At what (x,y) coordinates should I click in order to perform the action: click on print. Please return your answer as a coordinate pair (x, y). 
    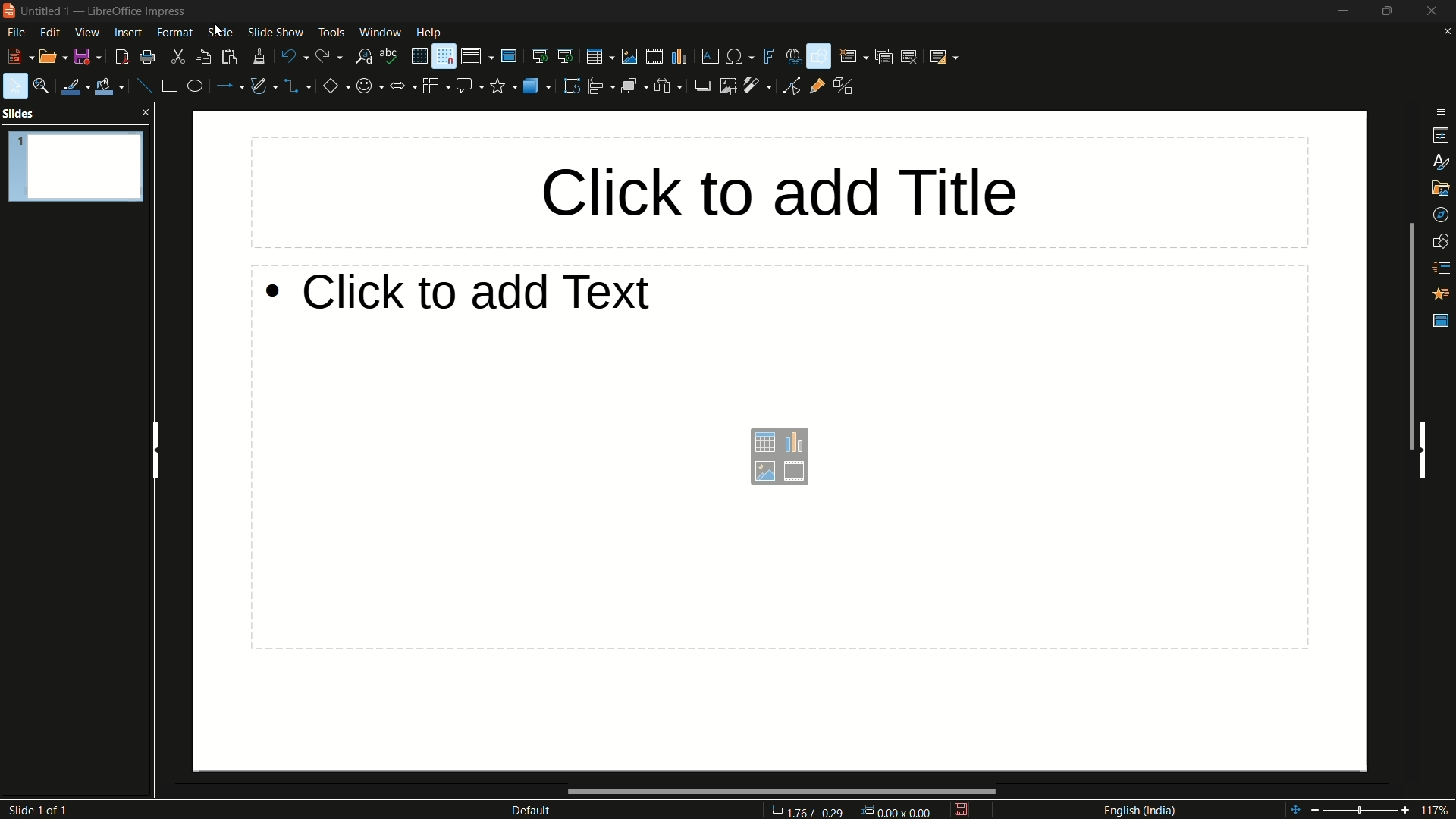
    Looking at the image, I should click on (148, 58).